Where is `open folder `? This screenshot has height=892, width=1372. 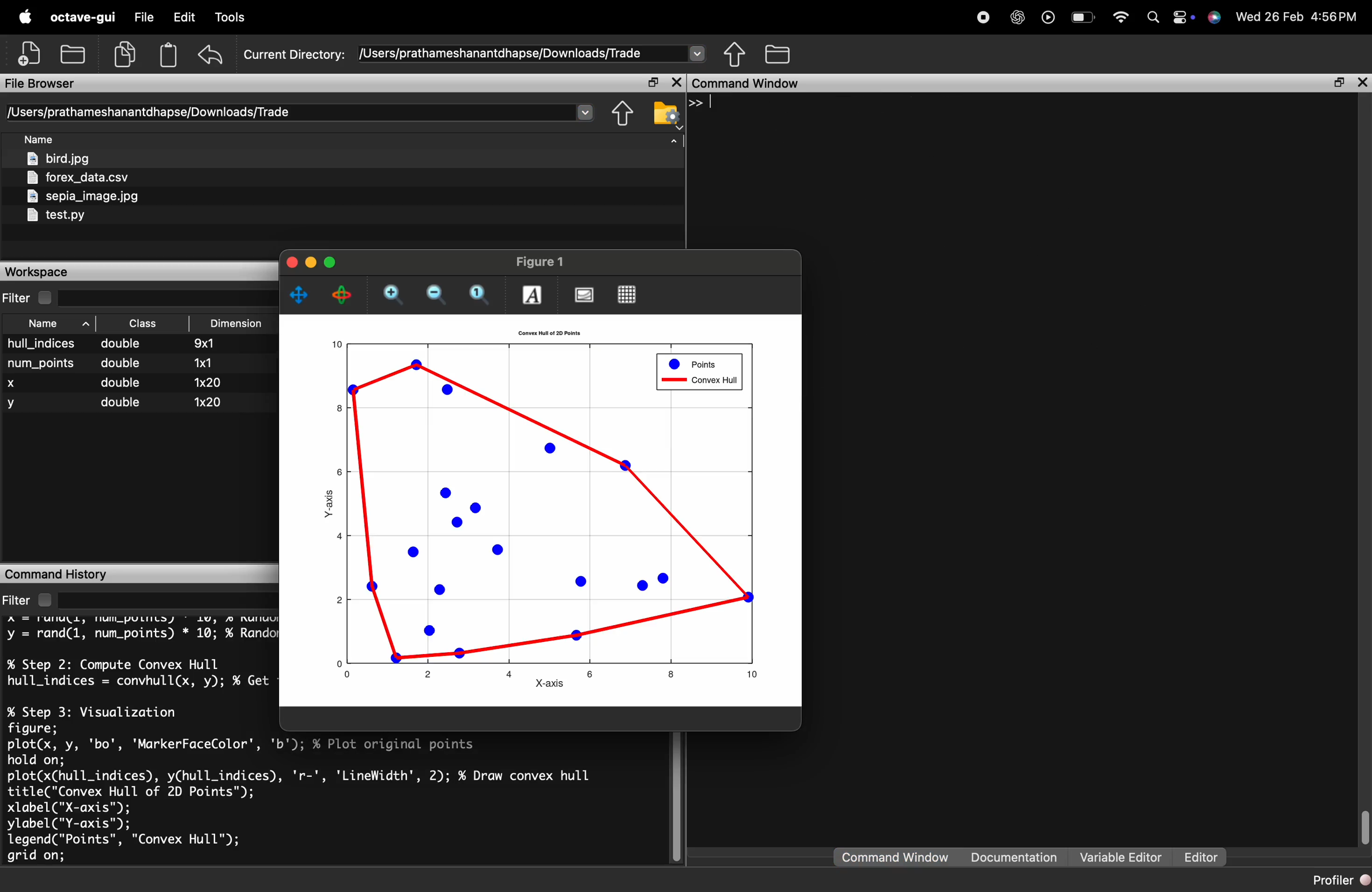 open folder  is located at coordinates (73, 55).